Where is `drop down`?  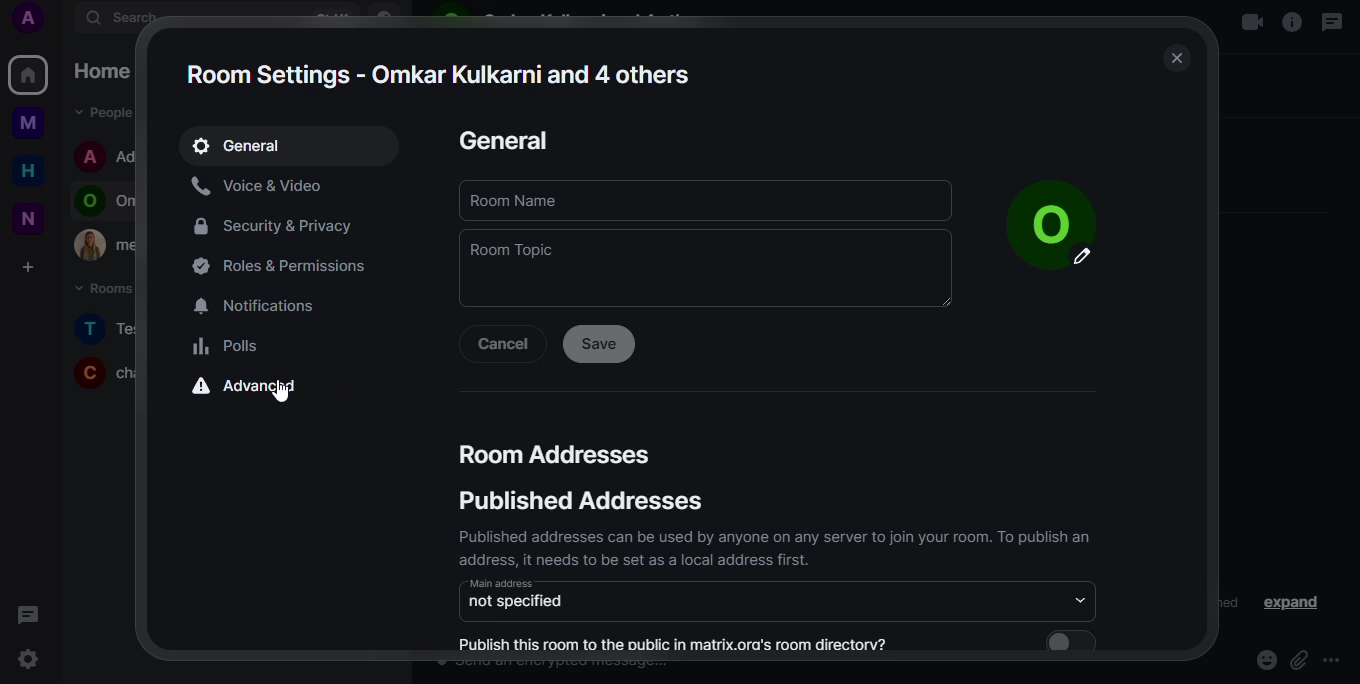 drop down is located at coordinates (1083, 598).